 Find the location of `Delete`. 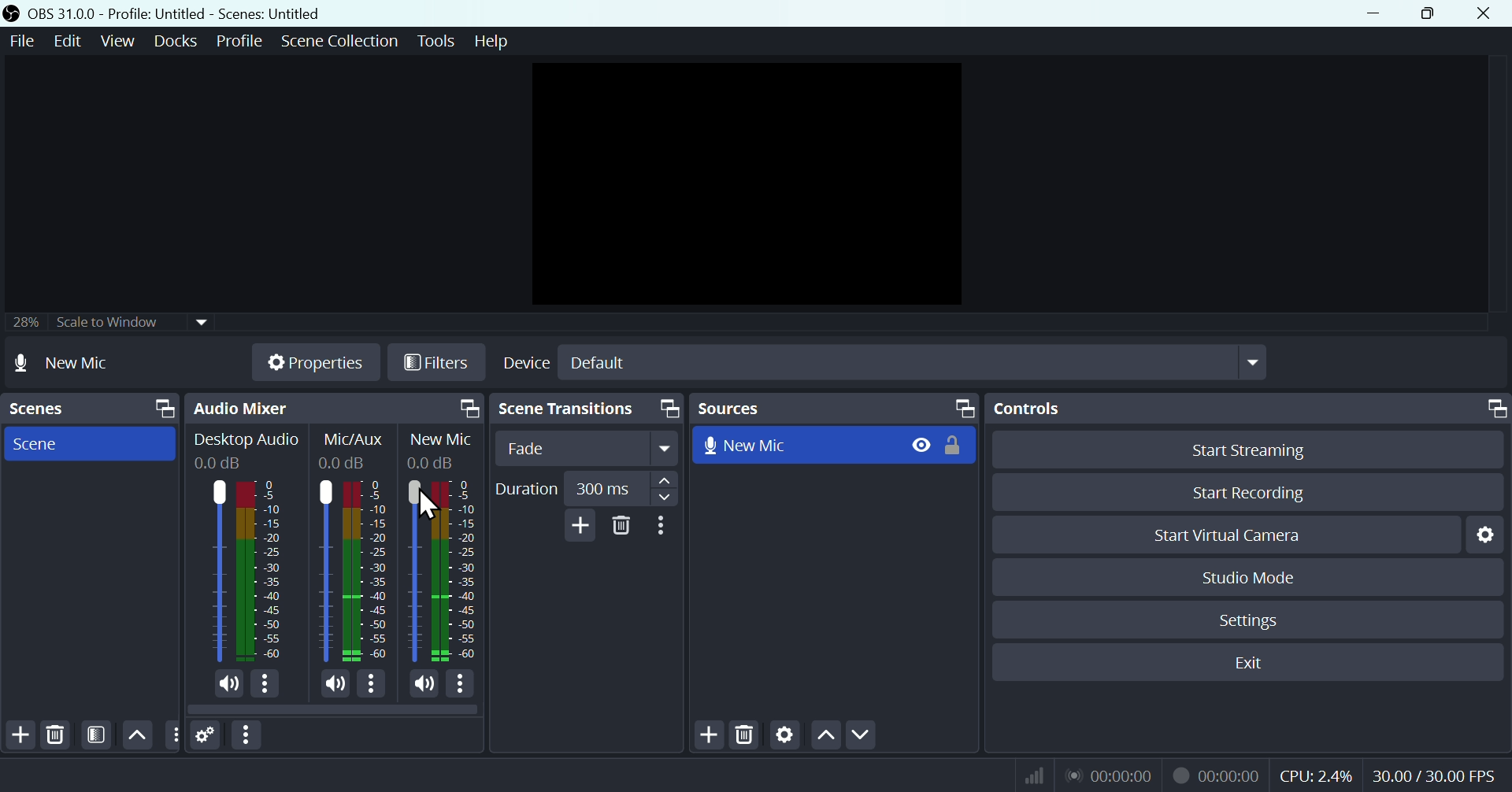

Delete is located at coordinates (55, 735).